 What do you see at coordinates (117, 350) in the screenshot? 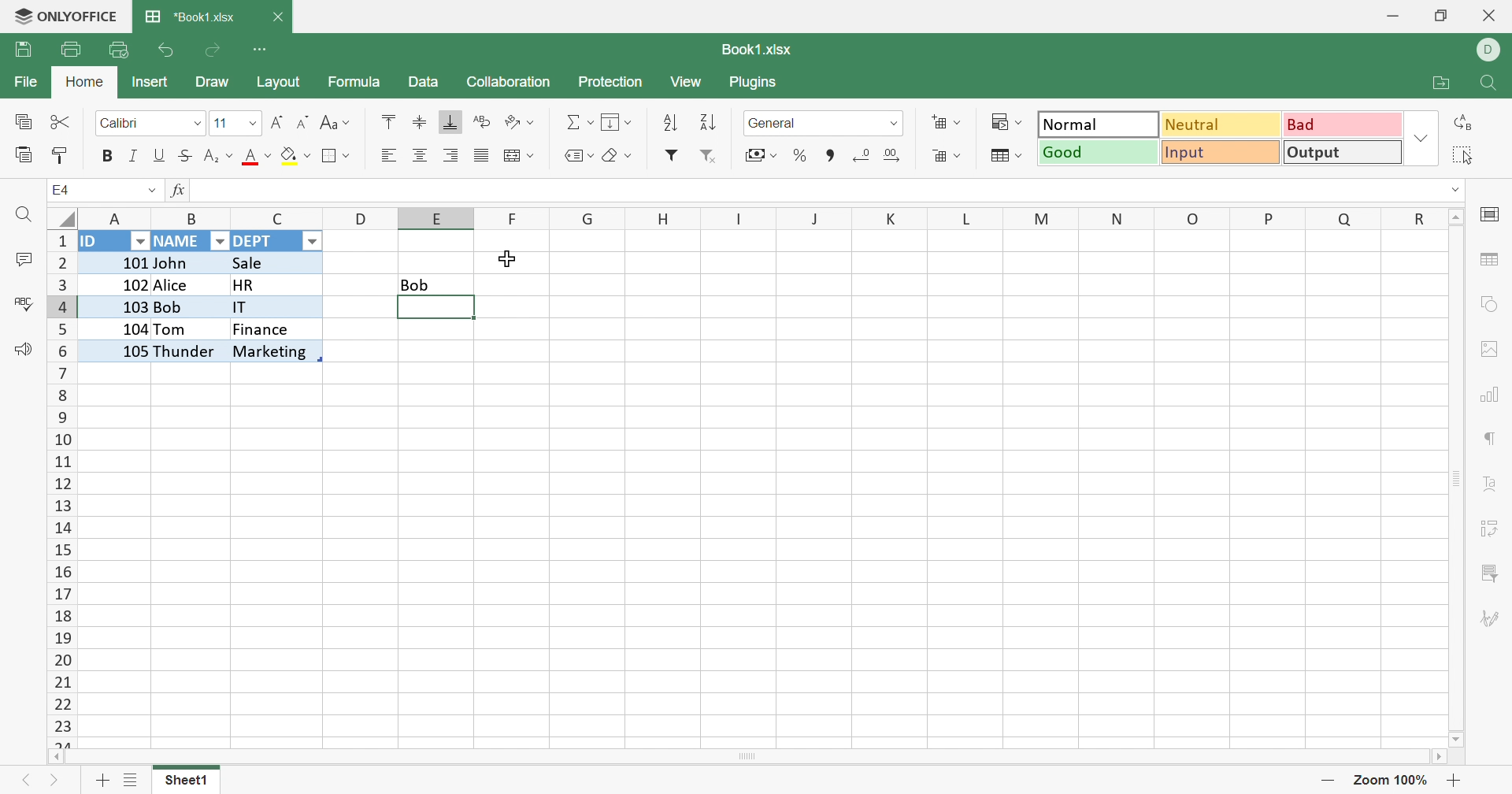
I see `105` at bounding box center [117, 350].